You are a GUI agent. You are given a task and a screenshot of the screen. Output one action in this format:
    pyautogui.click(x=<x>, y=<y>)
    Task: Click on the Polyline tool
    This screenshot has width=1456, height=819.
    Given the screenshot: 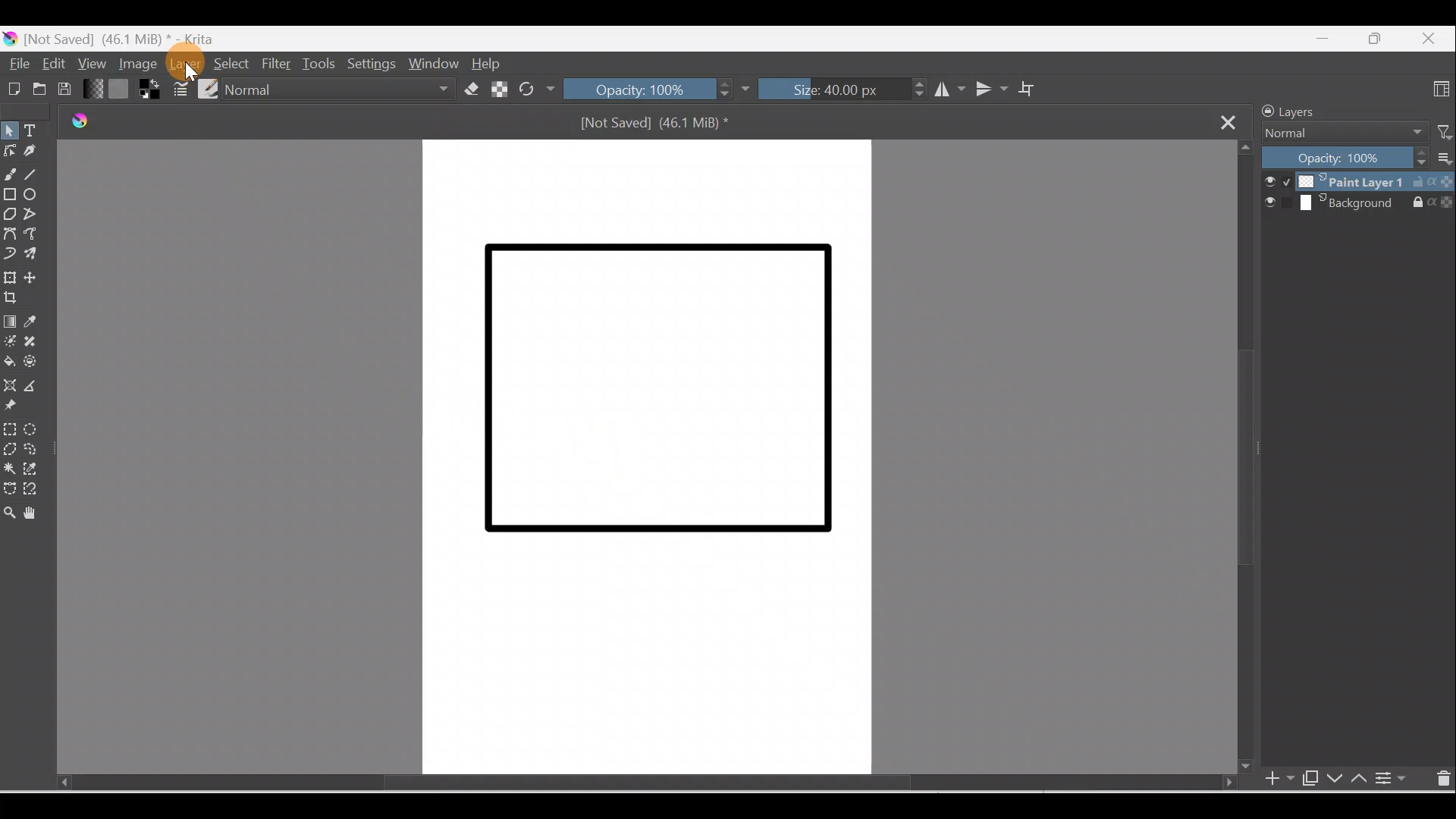 What is the action you would take?
    pyautogui.click(x=37, y=216)
    